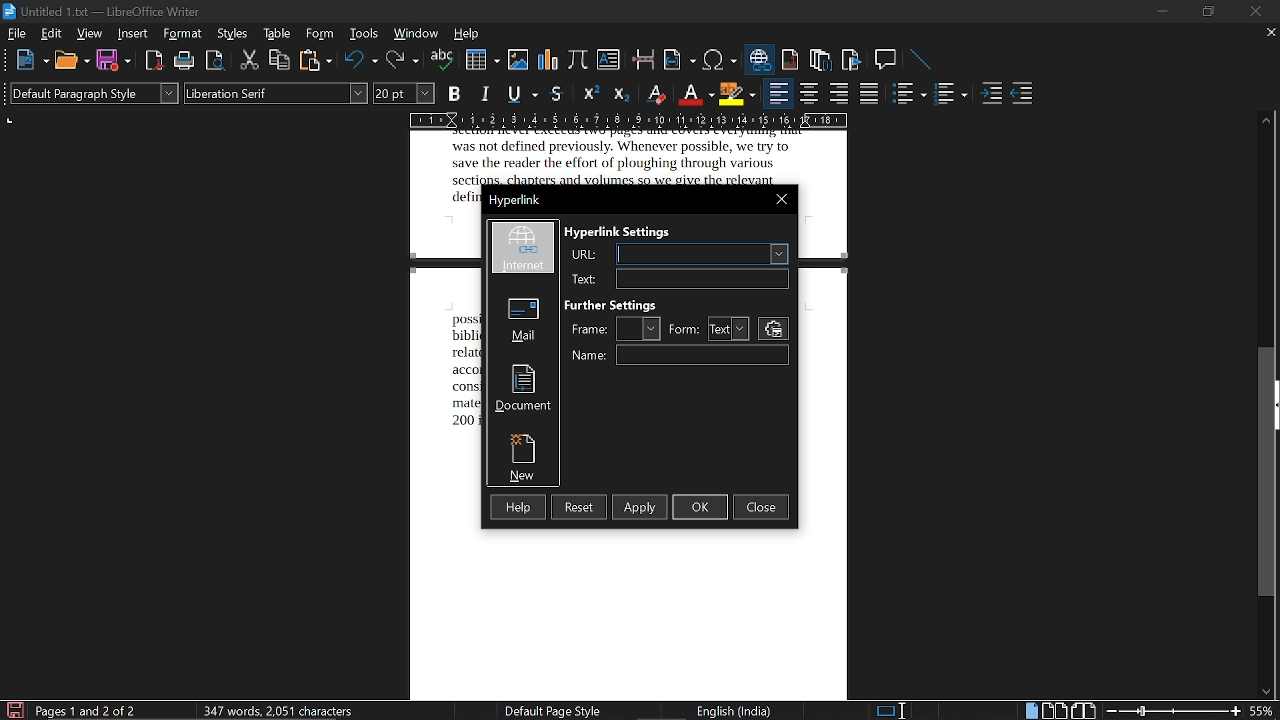 Image resolution: width=1280 pixels, height=720 pixels. What do you see at coordinates (133, 34) in the screenshot?
I see `insert` at bounding box center [133, 34].